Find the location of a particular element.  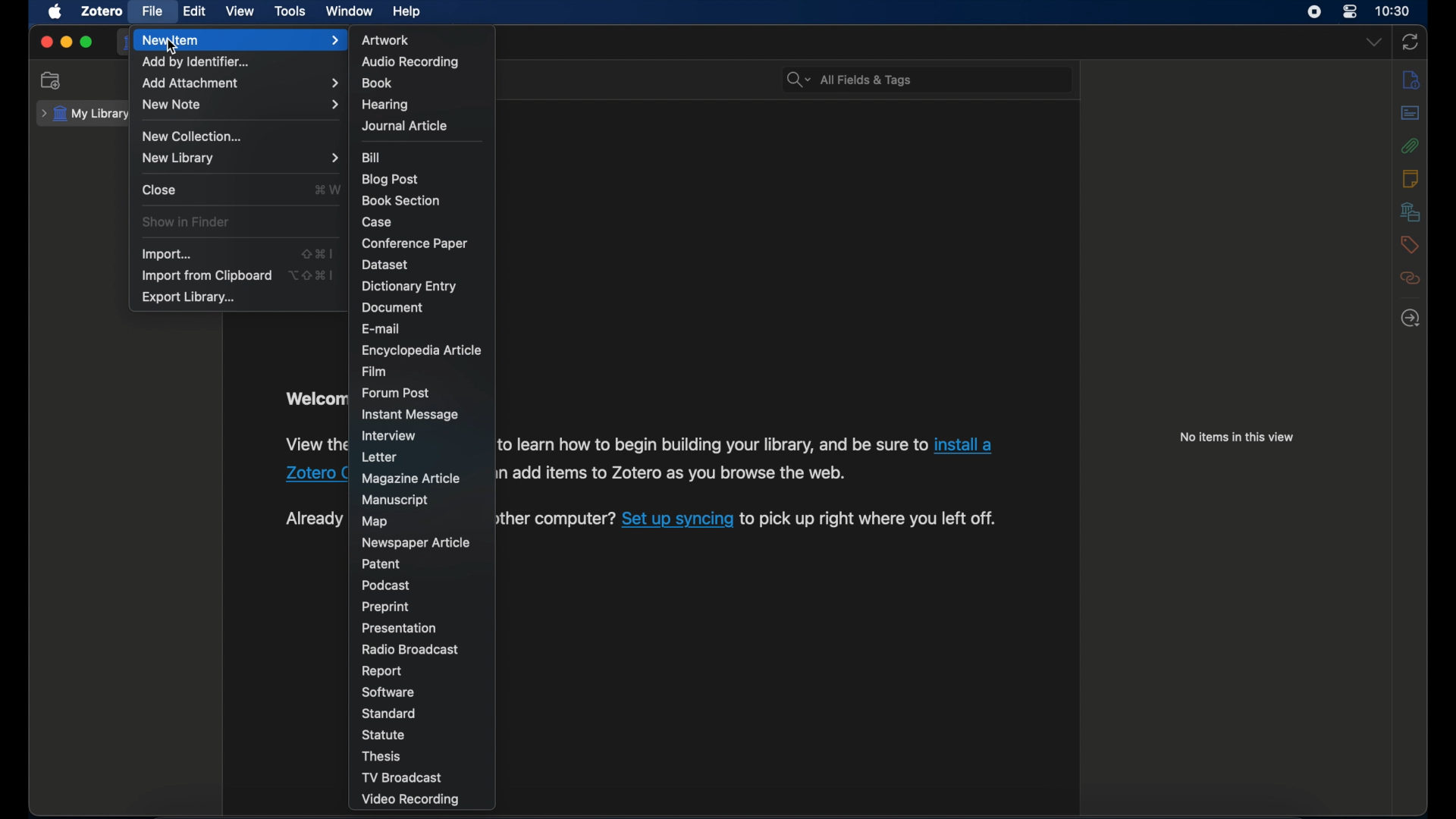

report is located at coordinates (381, 671).